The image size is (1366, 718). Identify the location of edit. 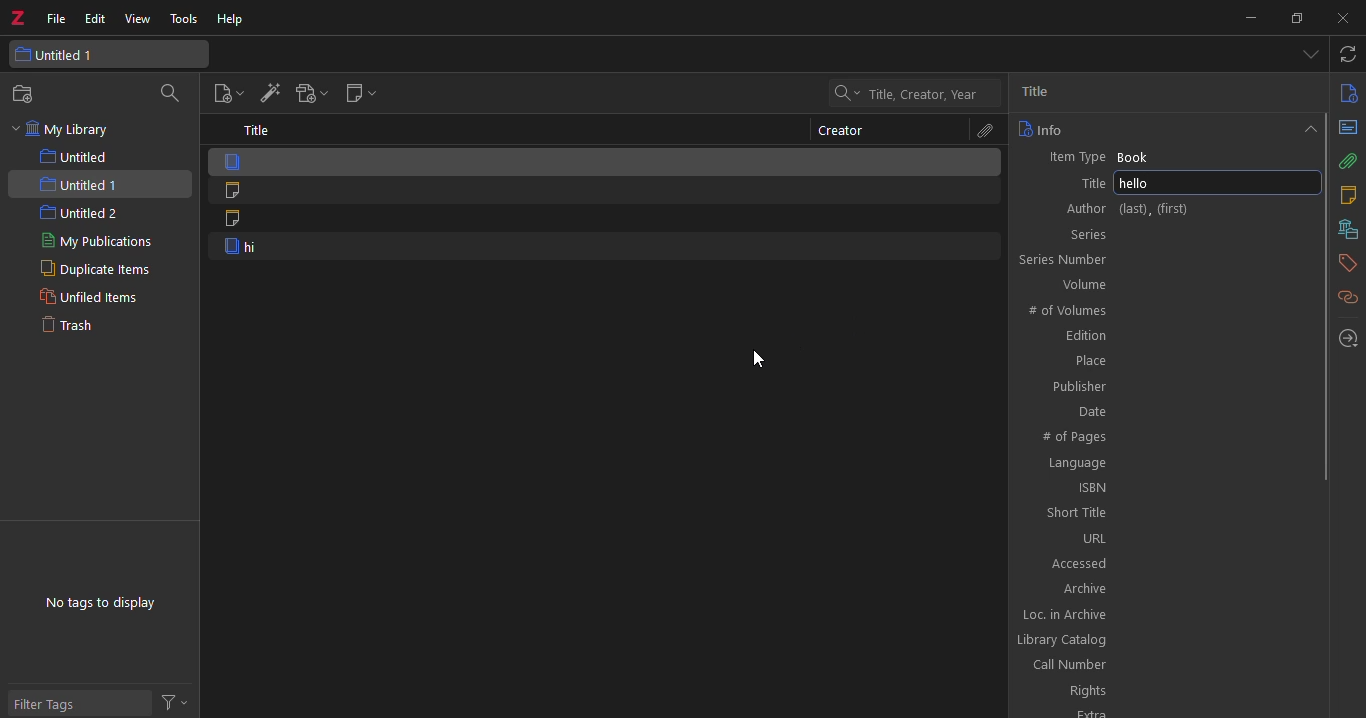
(96, 17).